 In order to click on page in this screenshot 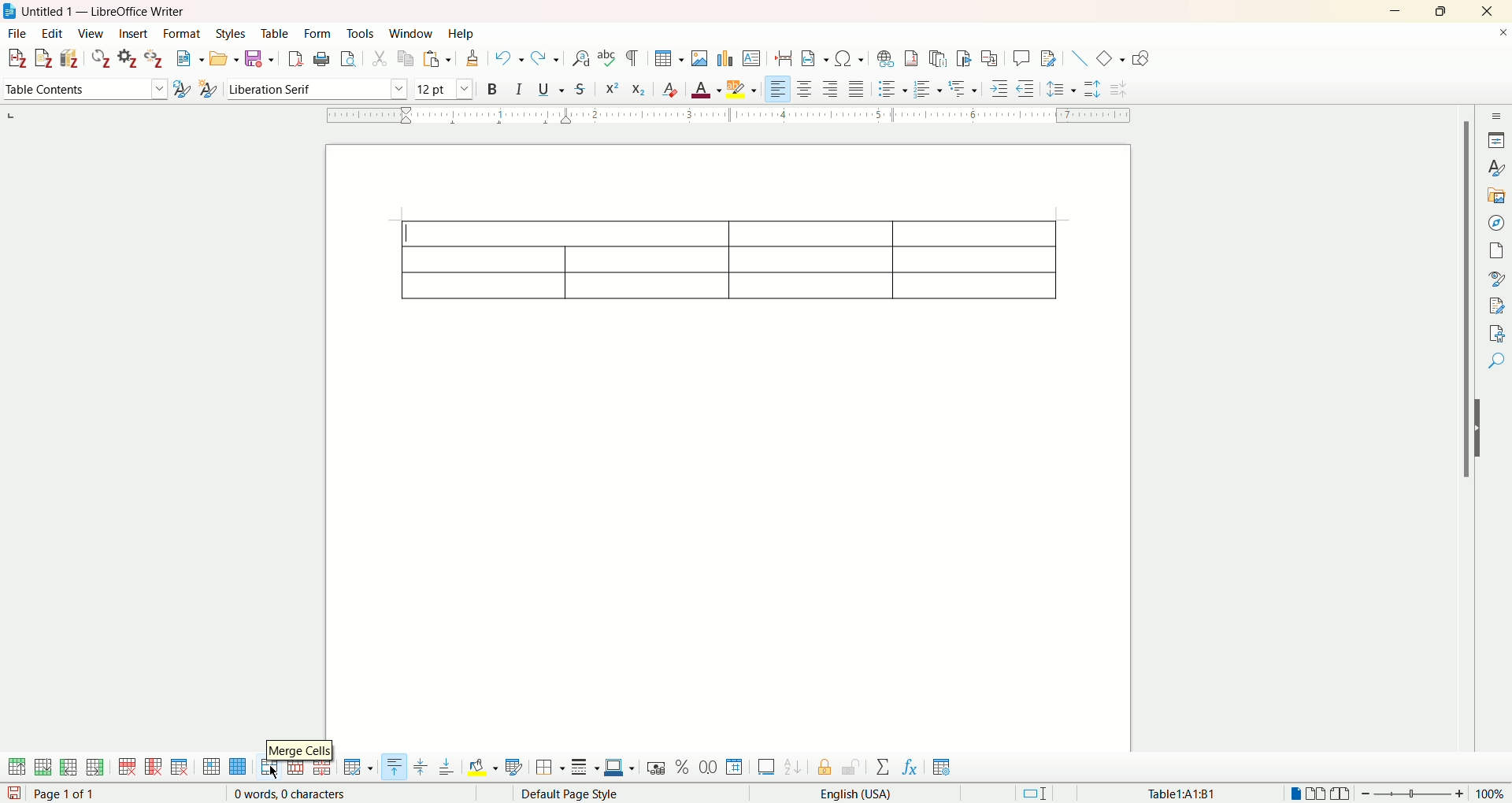, I will do `click(730, 446)`.